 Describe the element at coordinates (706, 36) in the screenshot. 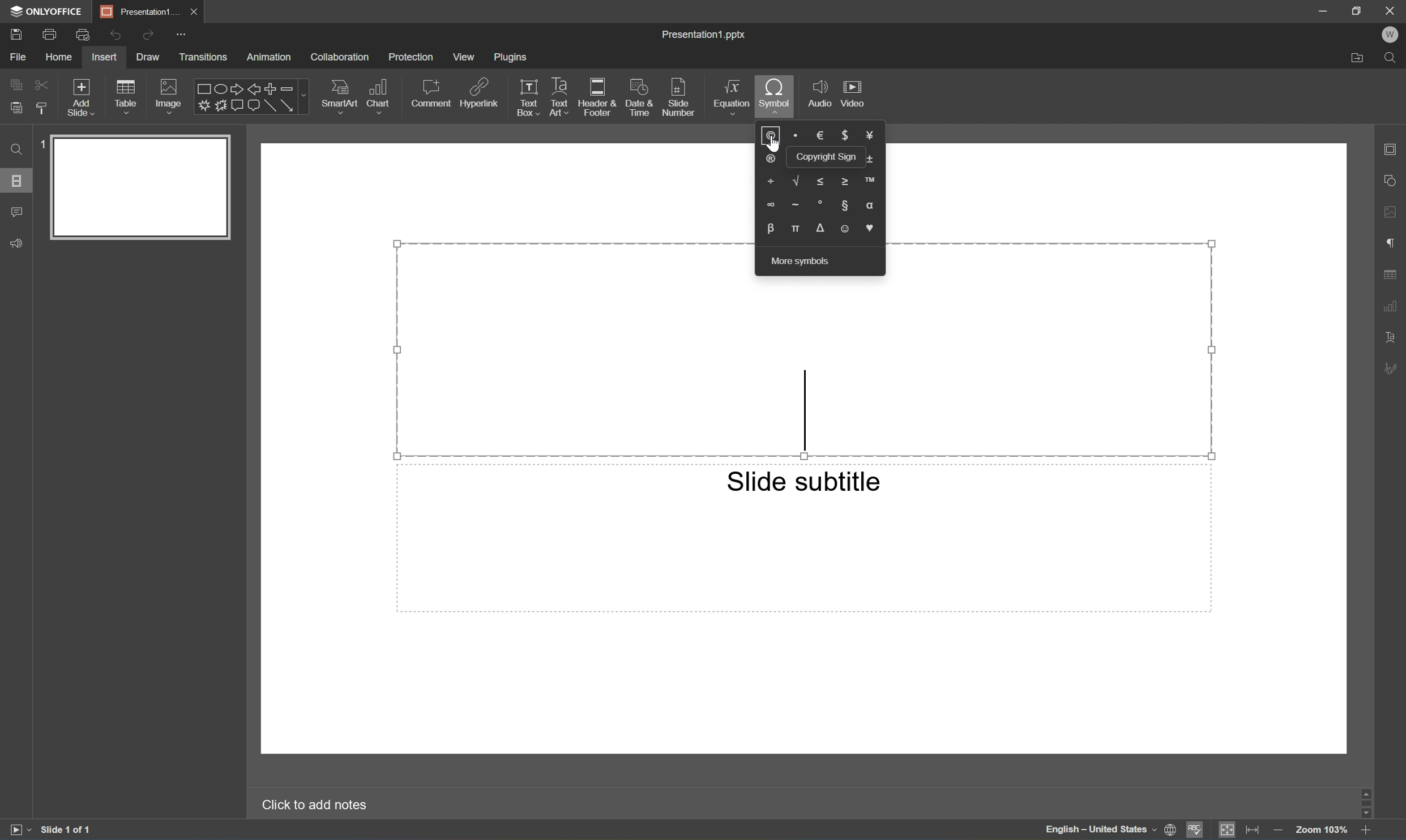

I see `Presentation1.pptx` at that location.